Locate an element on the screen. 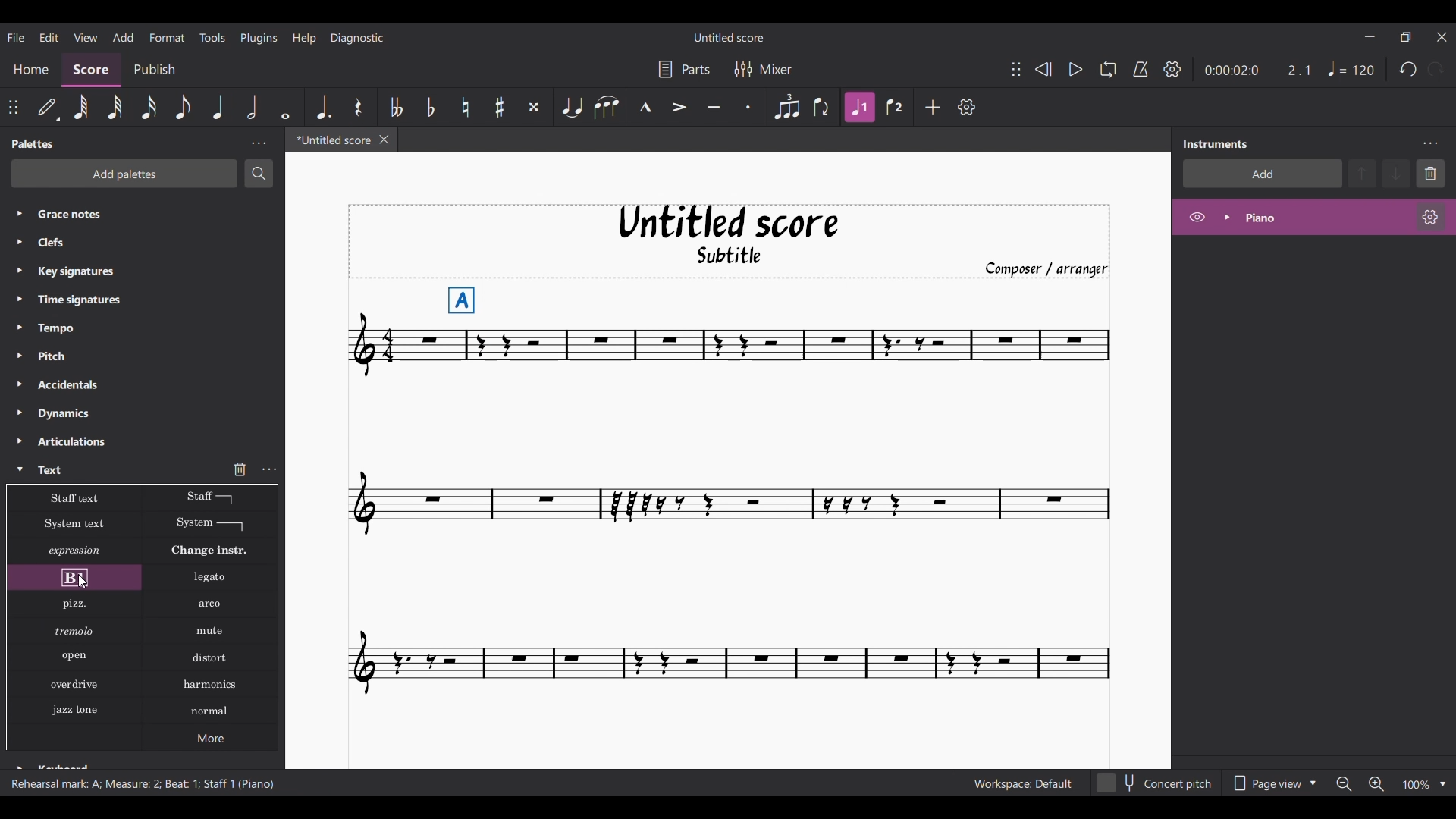 Image resolution: width=1456 pixels, height=819 pixels. Page view options is located at coordinates (1272, 783).